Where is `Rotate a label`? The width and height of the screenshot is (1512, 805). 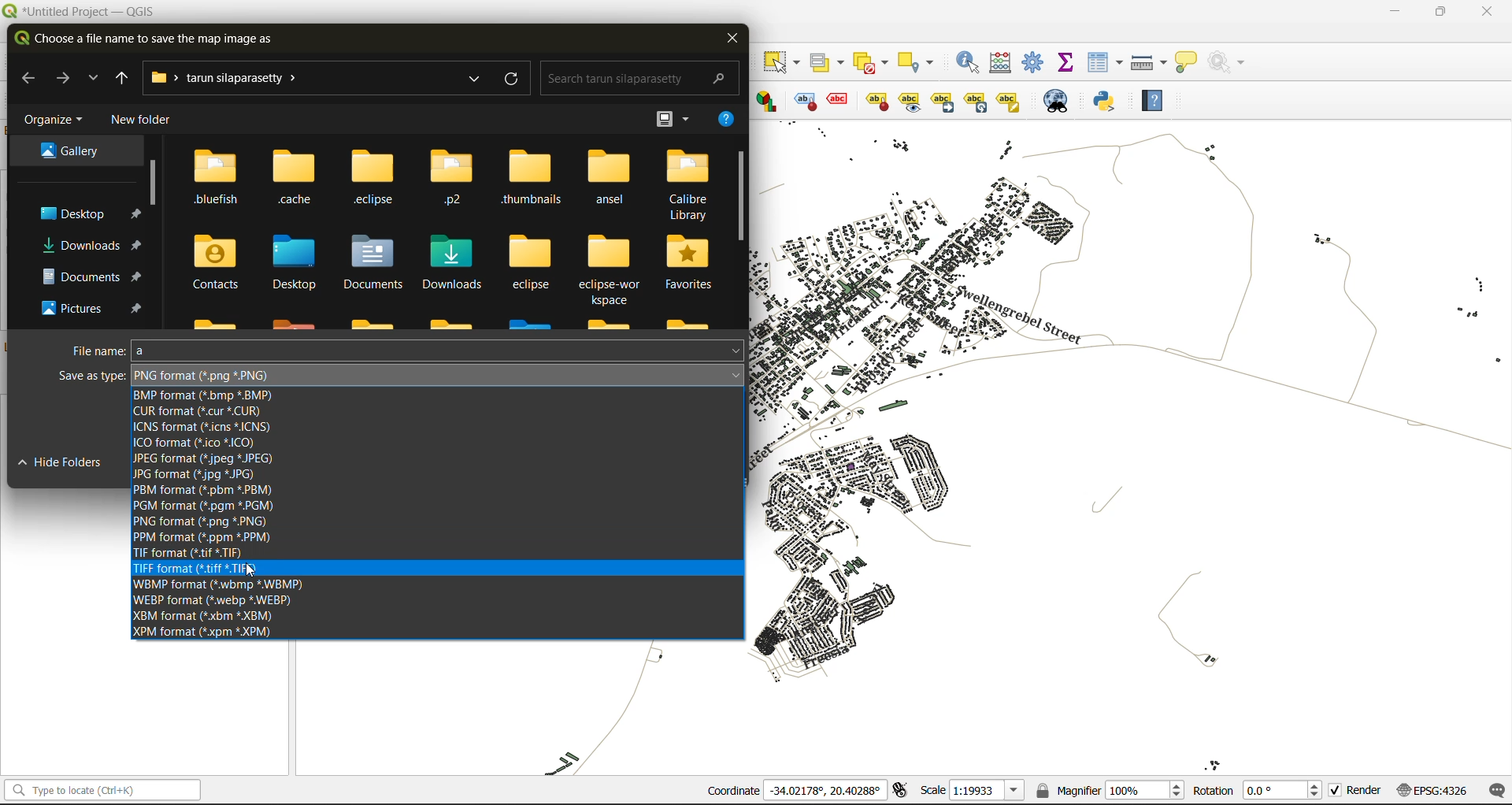 Rotate a label is located at coordinates (976, 100).